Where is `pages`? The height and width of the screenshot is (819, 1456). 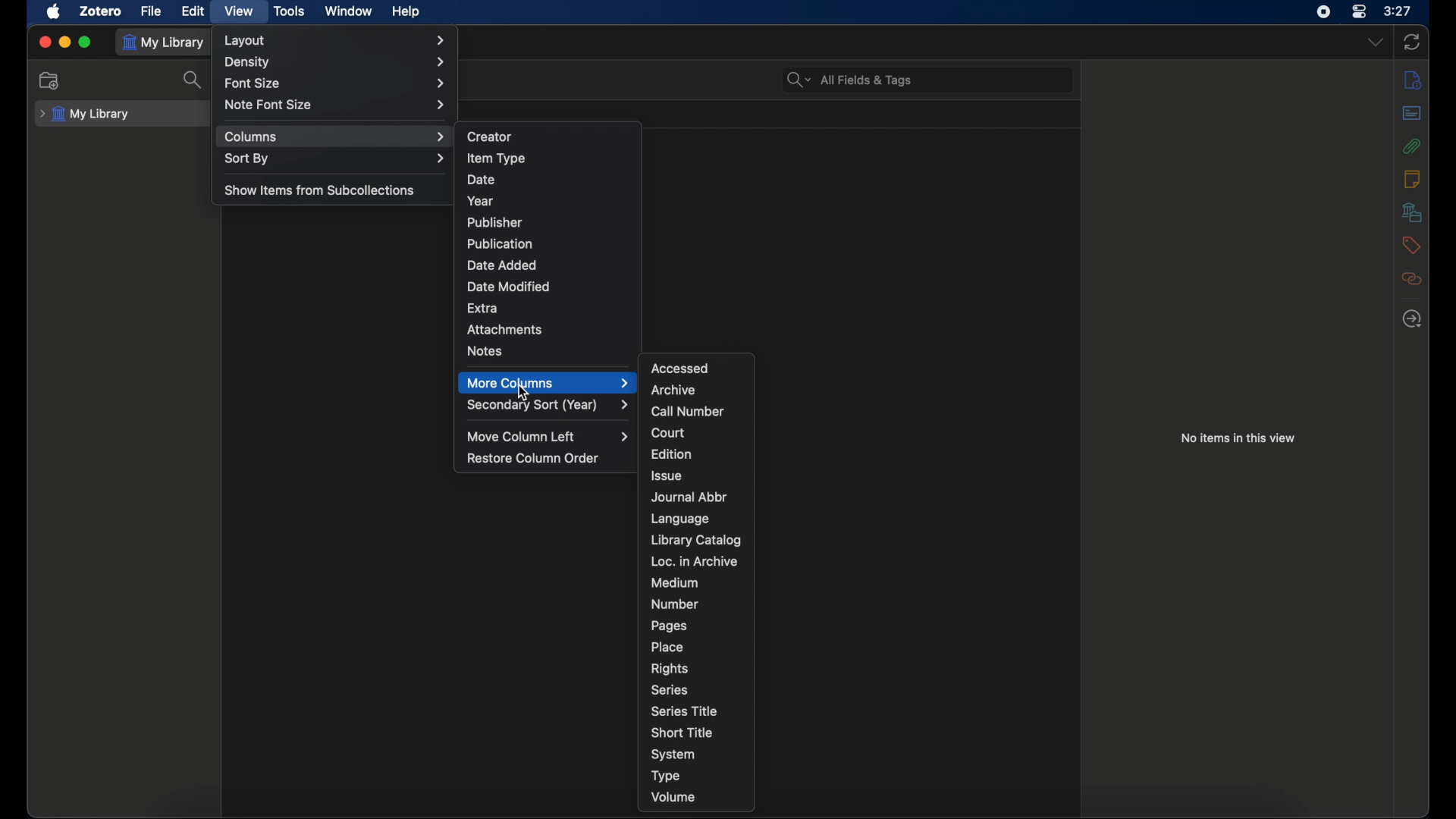
pages is located at coordinates (670, 626).